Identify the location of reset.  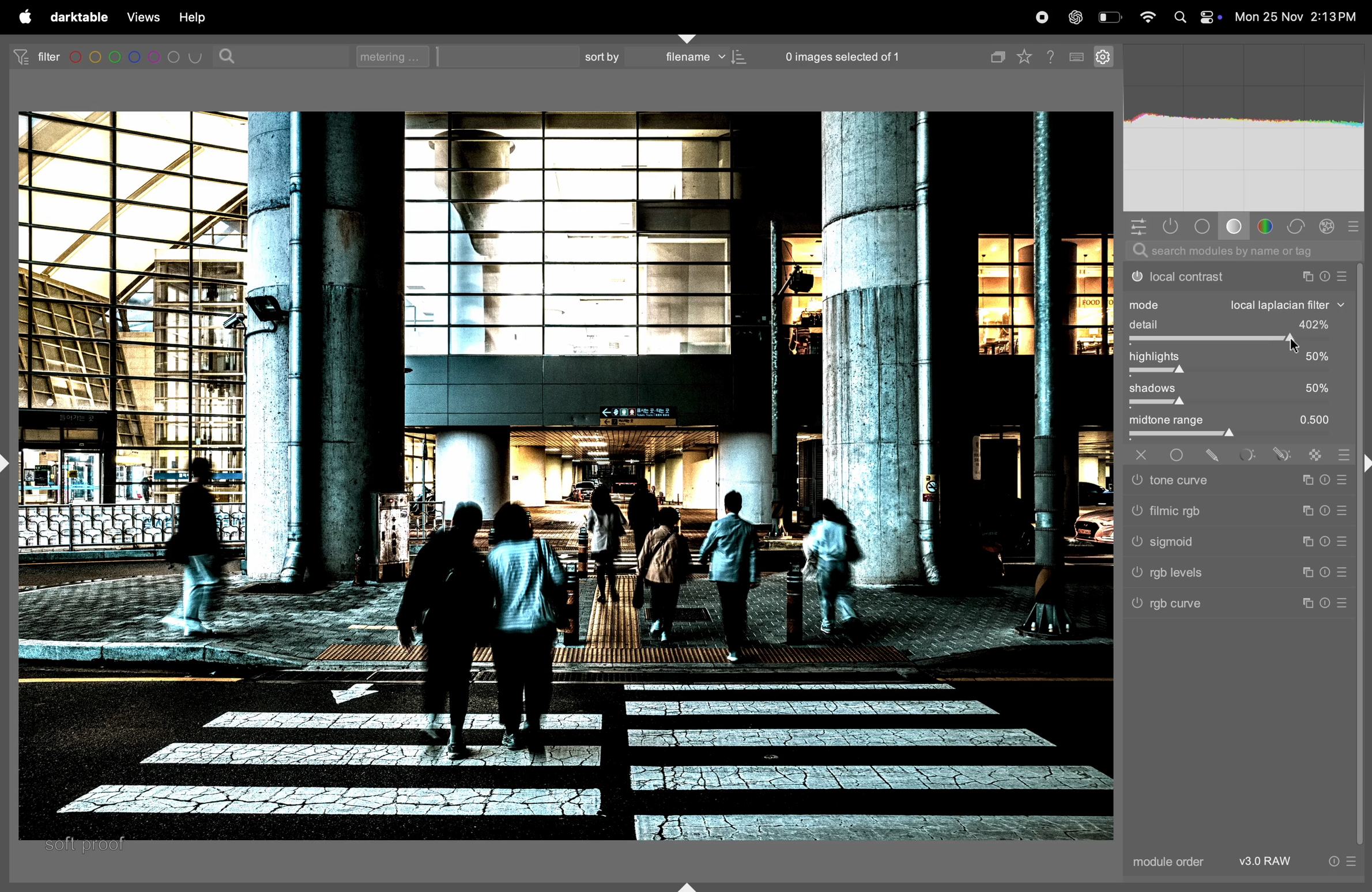
(1326, 543).